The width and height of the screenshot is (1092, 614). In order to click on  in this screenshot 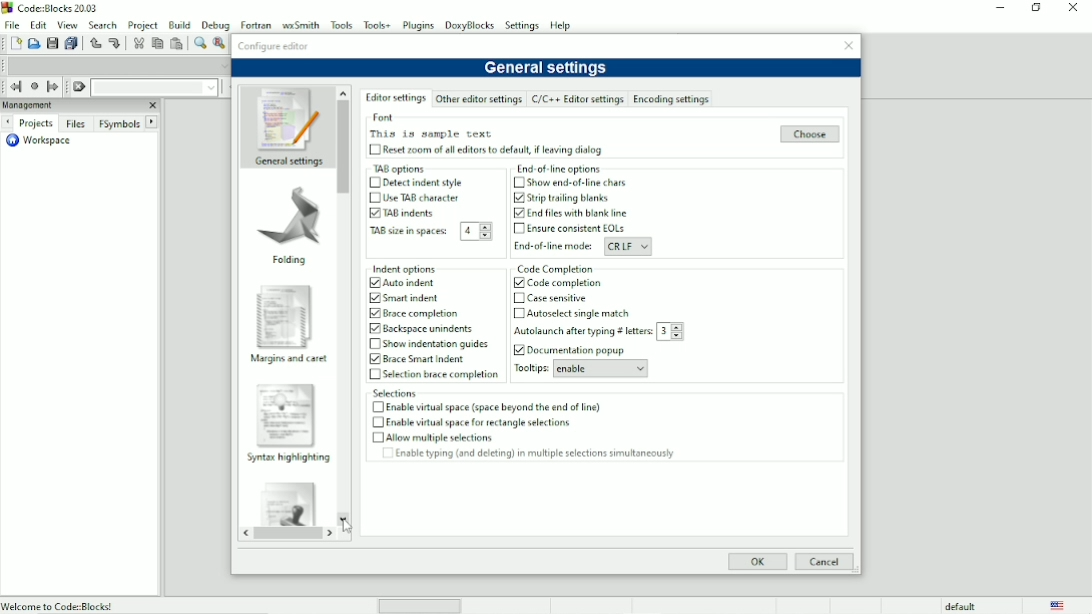, I will do `click(517, 228)`.